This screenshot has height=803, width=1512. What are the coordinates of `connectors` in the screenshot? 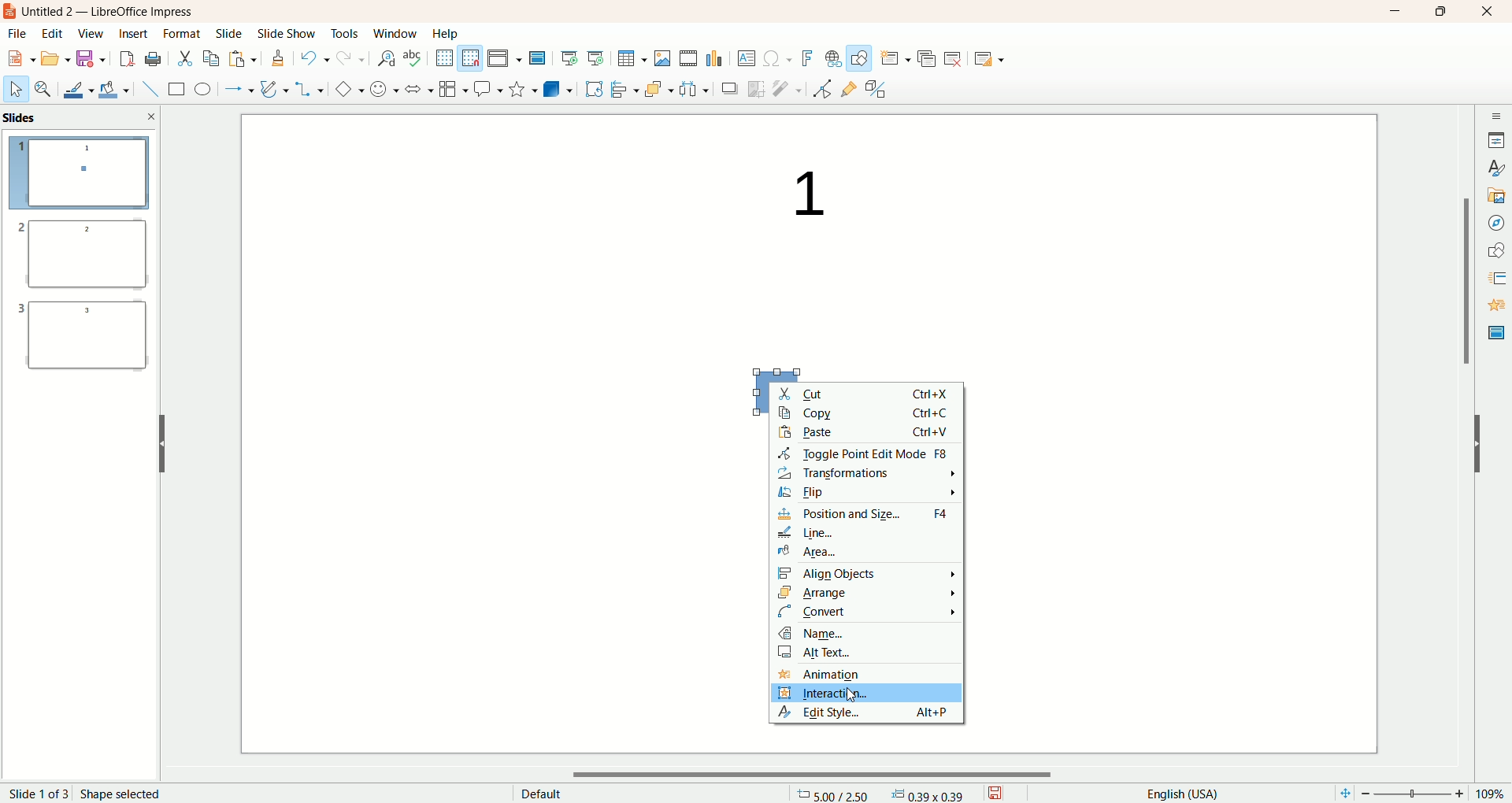 It's located at (309, 89).